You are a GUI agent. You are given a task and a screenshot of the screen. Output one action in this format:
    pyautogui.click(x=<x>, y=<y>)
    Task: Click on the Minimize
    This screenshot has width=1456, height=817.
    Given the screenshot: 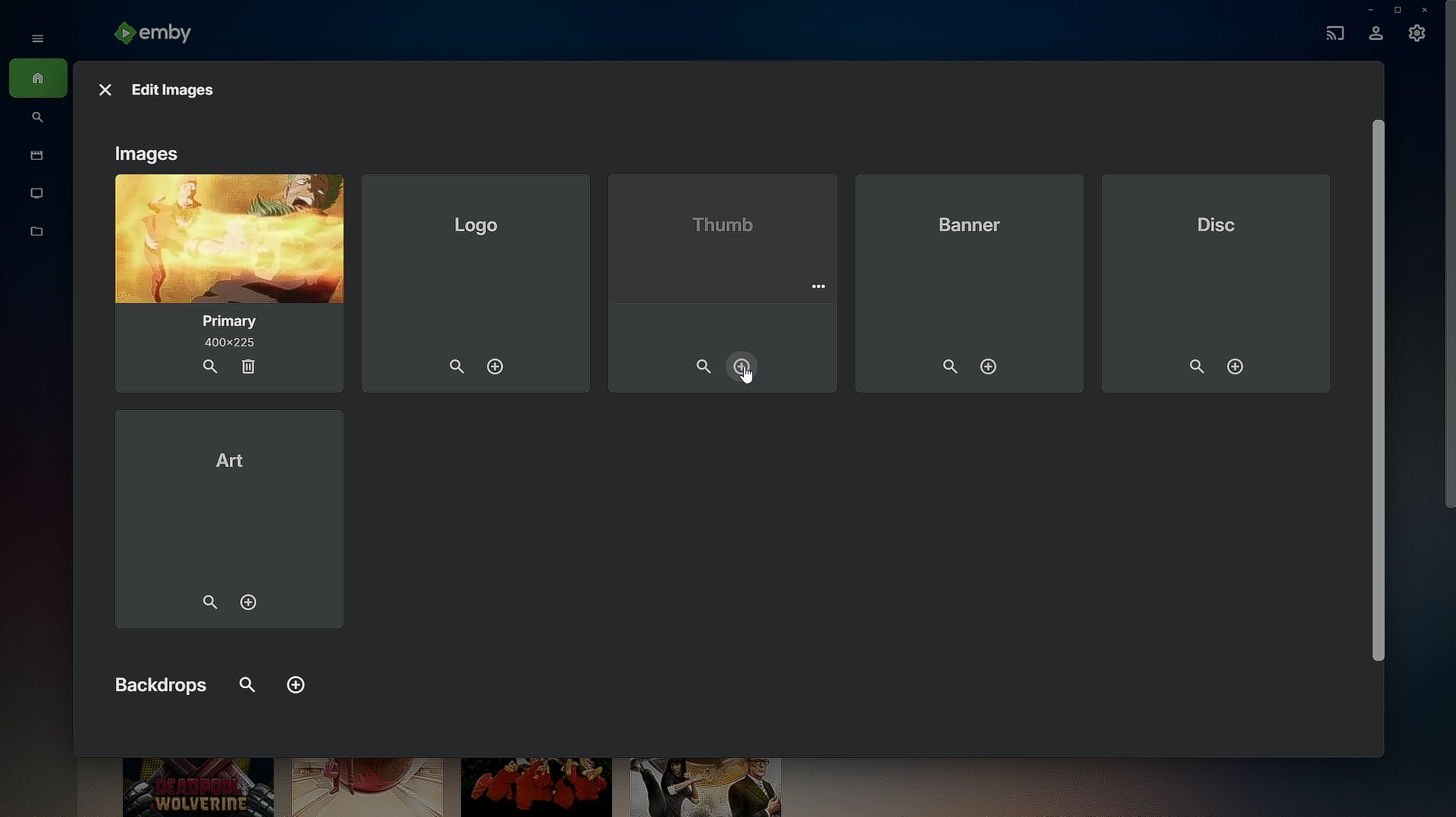 What is the action you would take?
    pyautogui.click(x=1366, y=10)
    